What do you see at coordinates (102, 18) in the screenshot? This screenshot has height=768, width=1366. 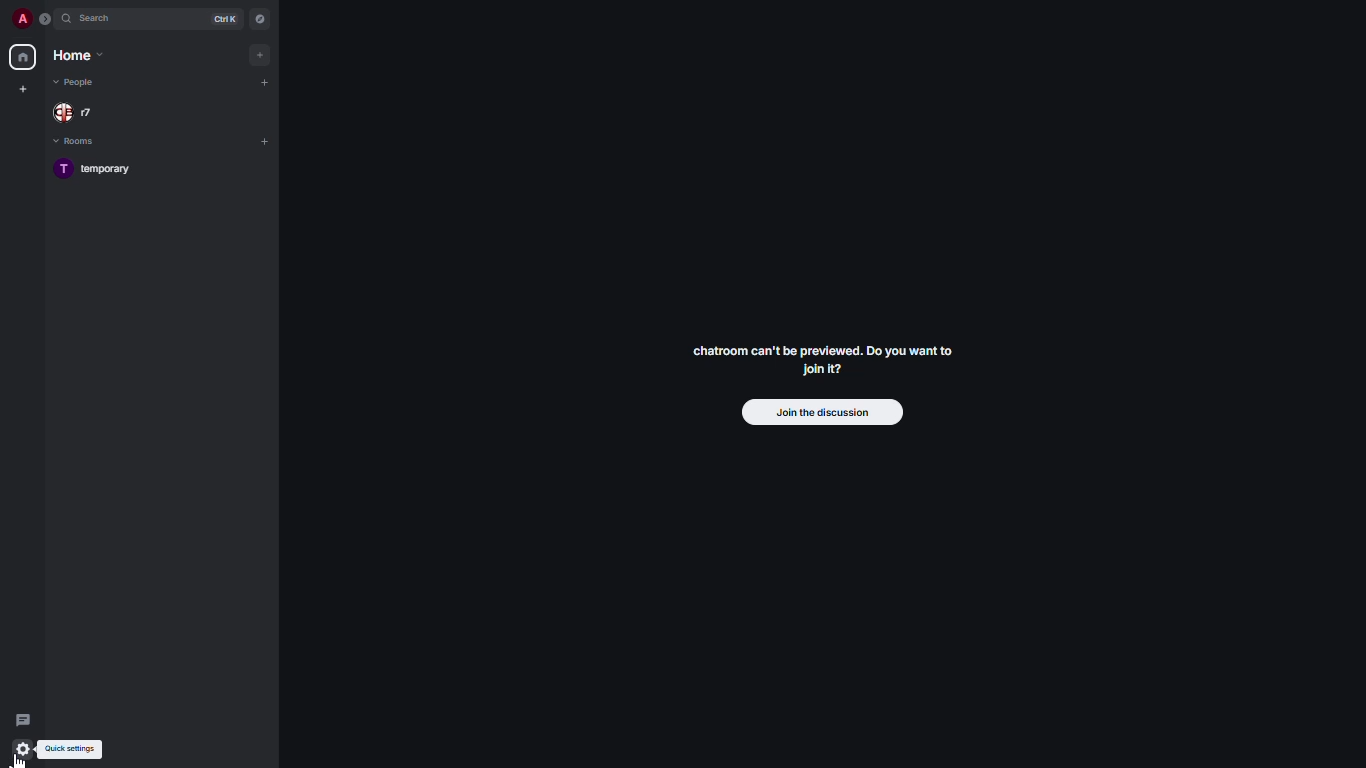 I see `search` at bounding box center [102, 18].